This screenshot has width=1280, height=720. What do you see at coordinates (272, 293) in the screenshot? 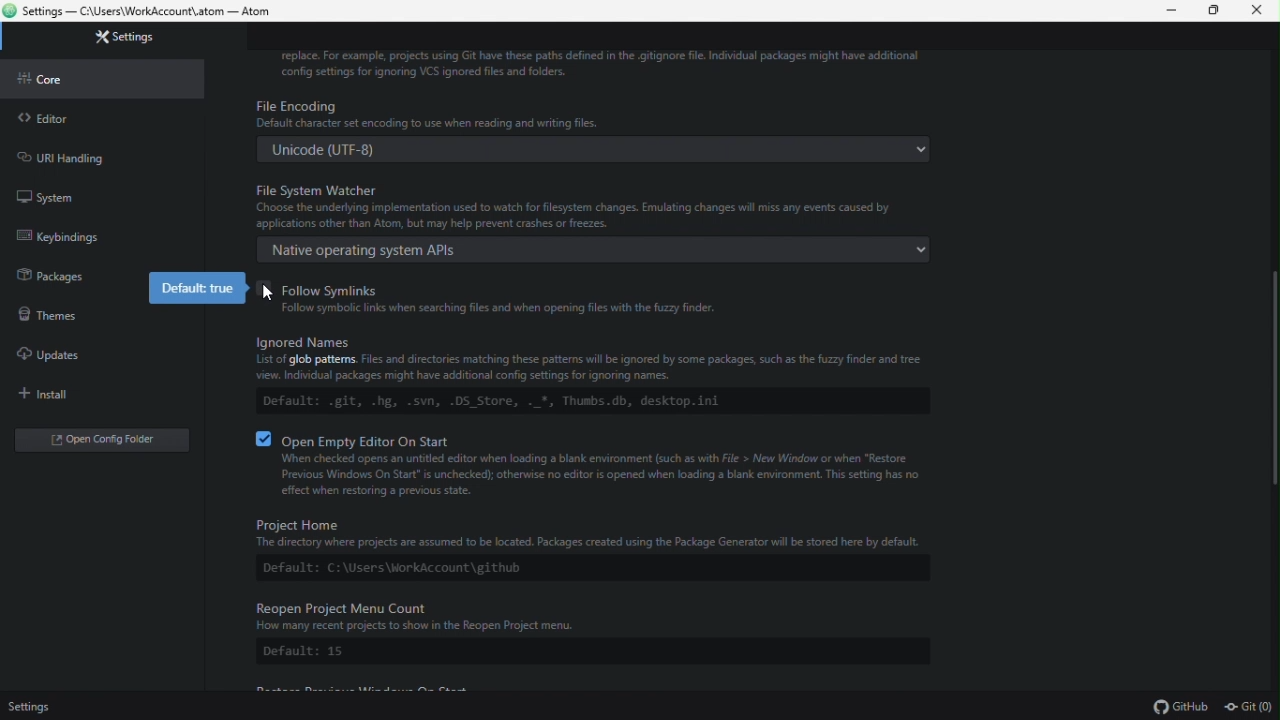
I see `Cursor` at bounding box center [272, 293].